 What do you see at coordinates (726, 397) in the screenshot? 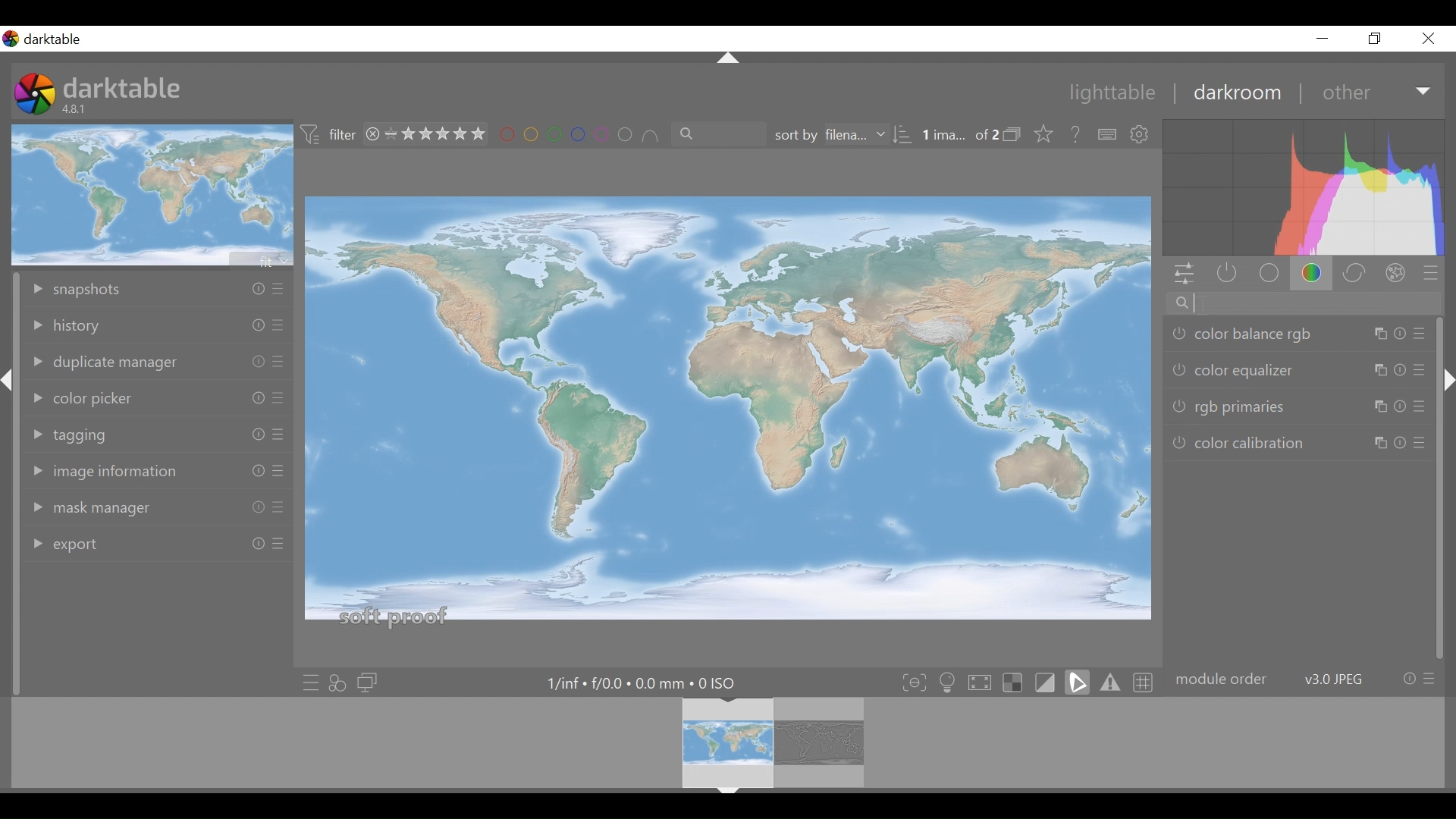
I see `Image` at bounding box center [726, 397].